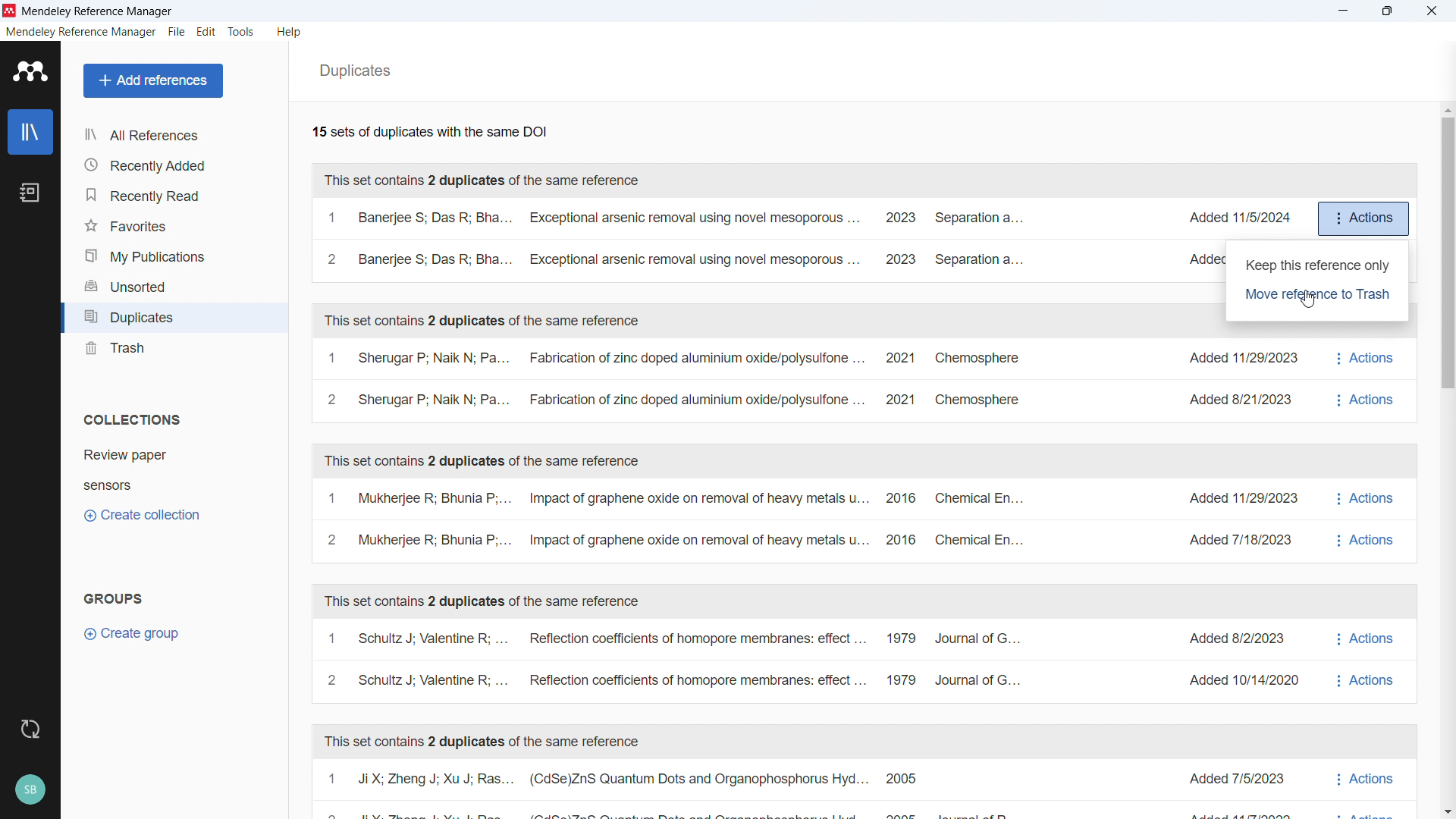 This screenshot has width=1456, height=819. Describe the element at coordinates (1232, 681) in the screenshot. I see `Added 10/14/2020` at that location.